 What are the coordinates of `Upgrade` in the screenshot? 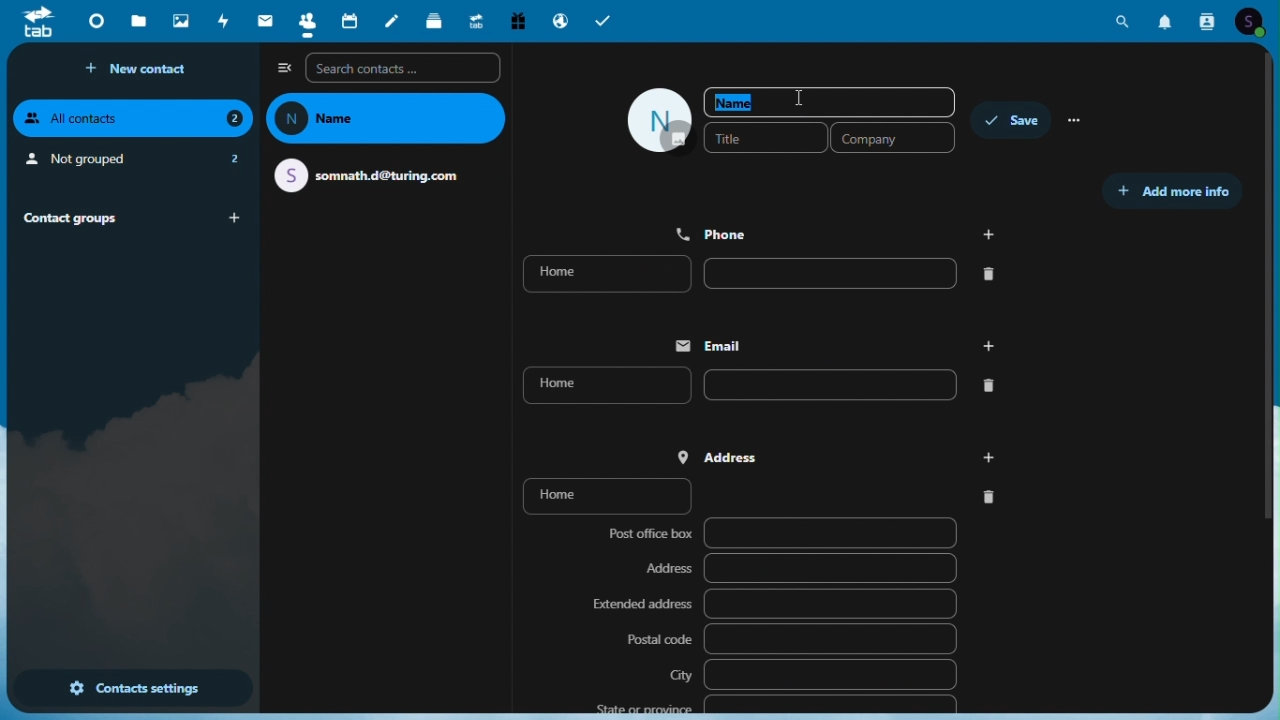 It's located at (476, 19).